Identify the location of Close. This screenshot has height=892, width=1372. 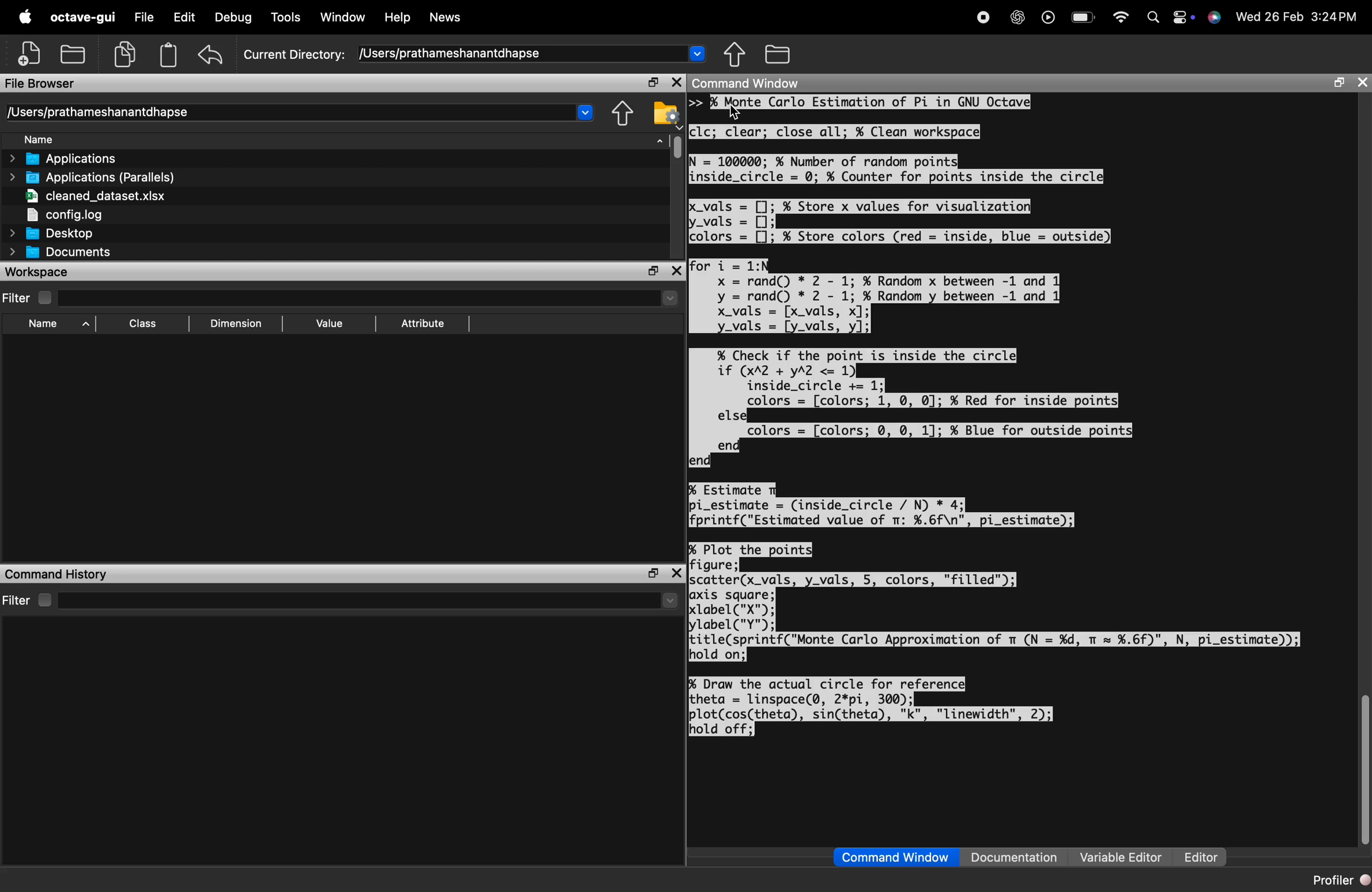
(677, 272).